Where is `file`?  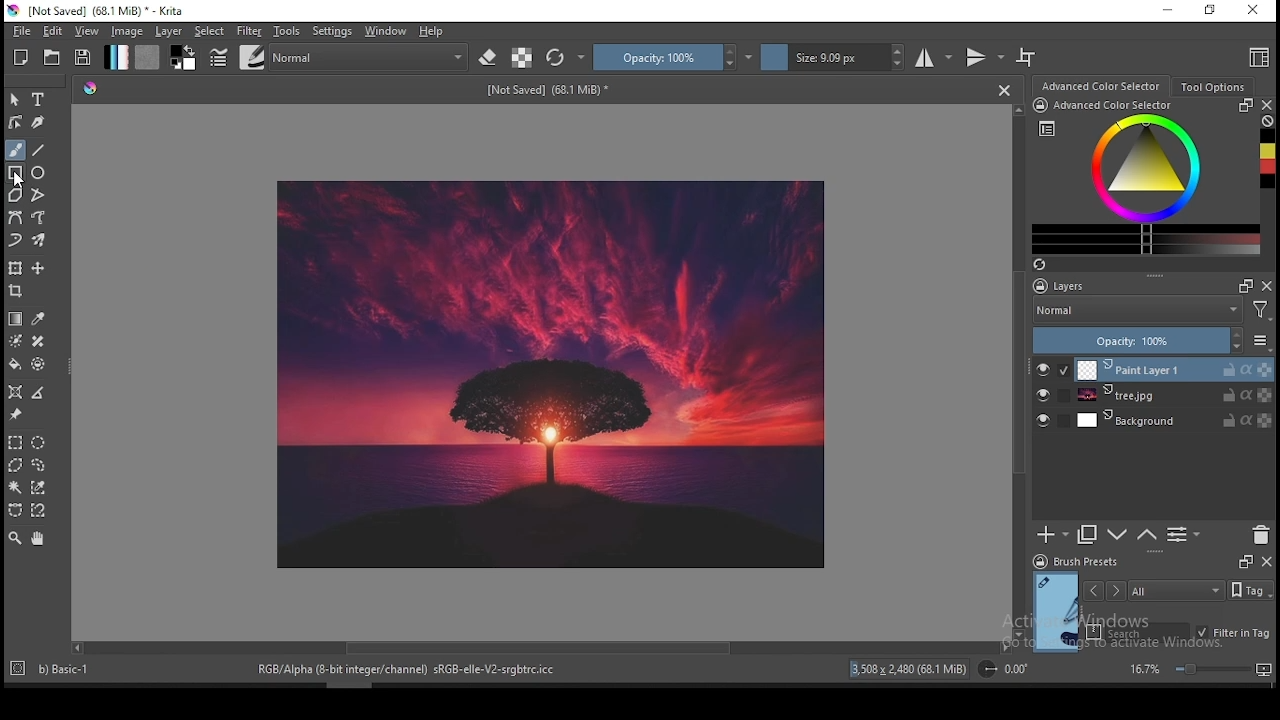
file is located at coordinates (19, 32).